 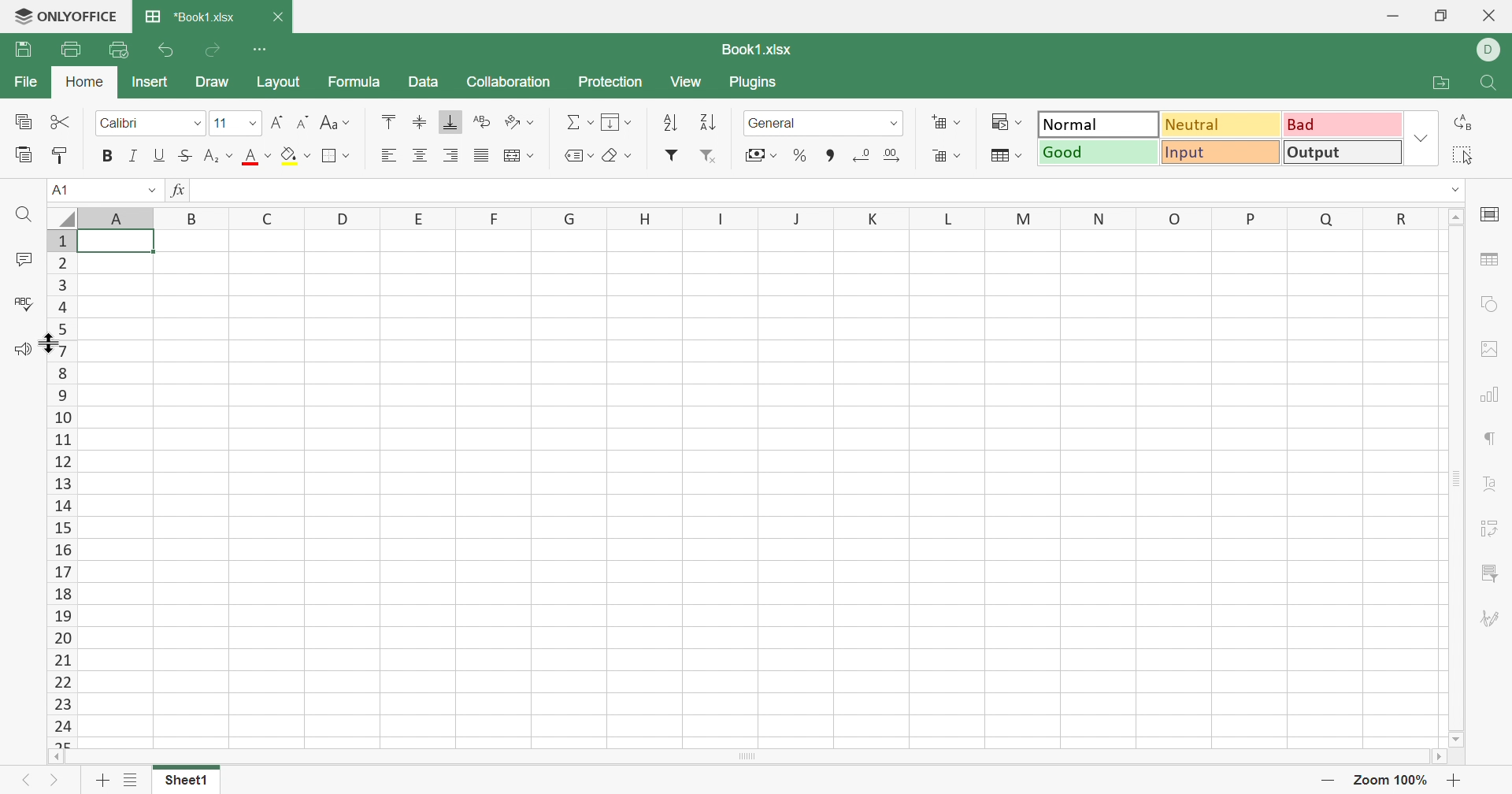 What do you see at coordinates (620, 156) in the screenshot?
I see `Clear` at bounding box center [620, 156].